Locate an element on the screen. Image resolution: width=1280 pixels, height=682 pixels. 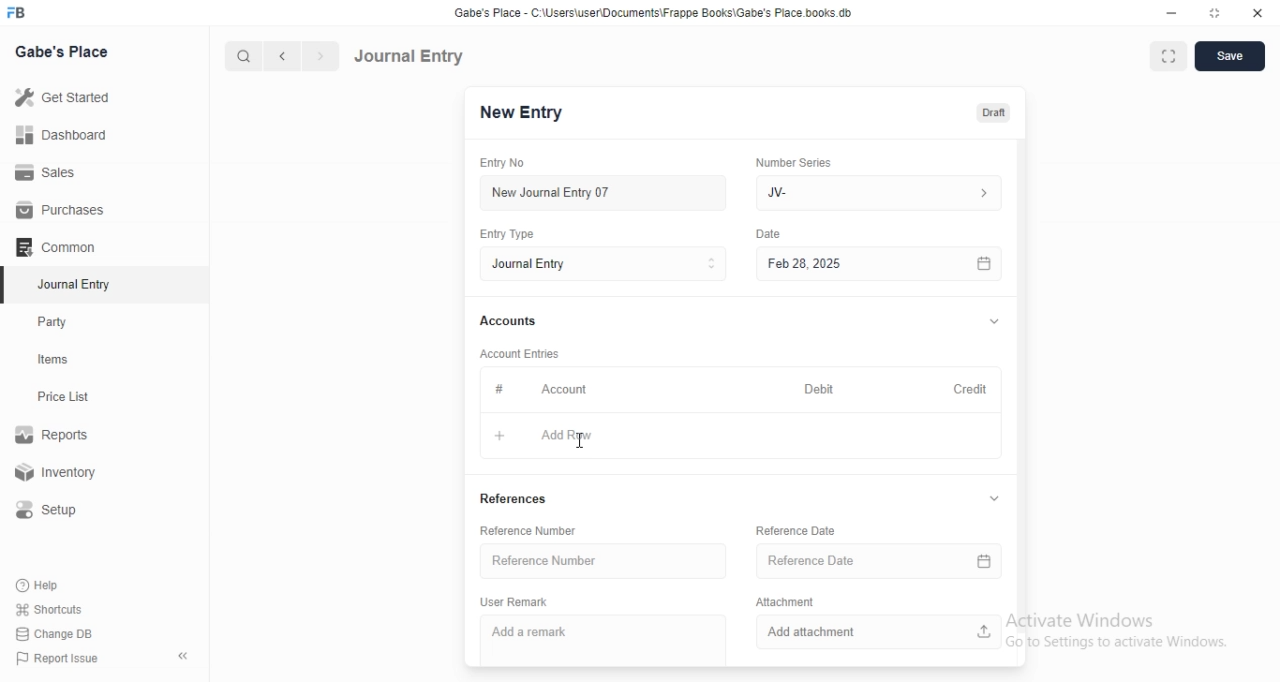
+ AddRpw is located at coordinates (552, 438).